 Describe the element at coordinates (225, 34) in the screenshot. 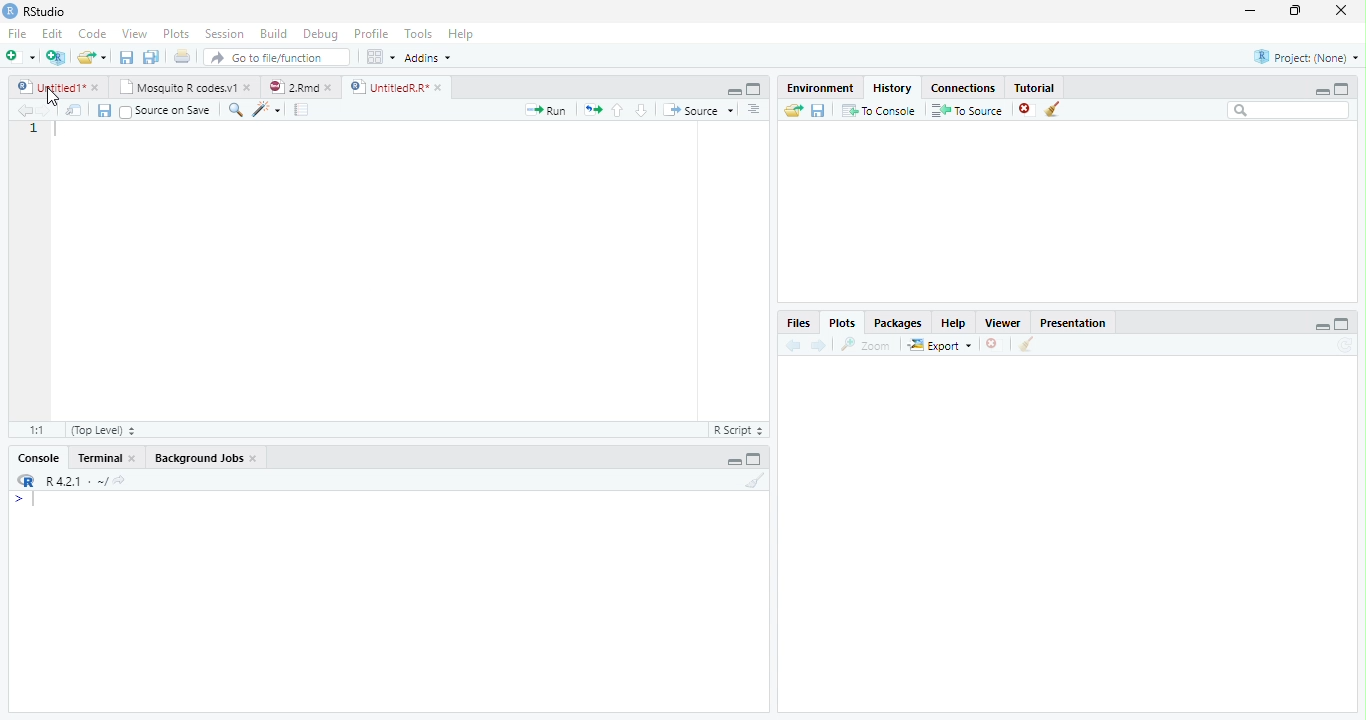

I see `Session` at that location.